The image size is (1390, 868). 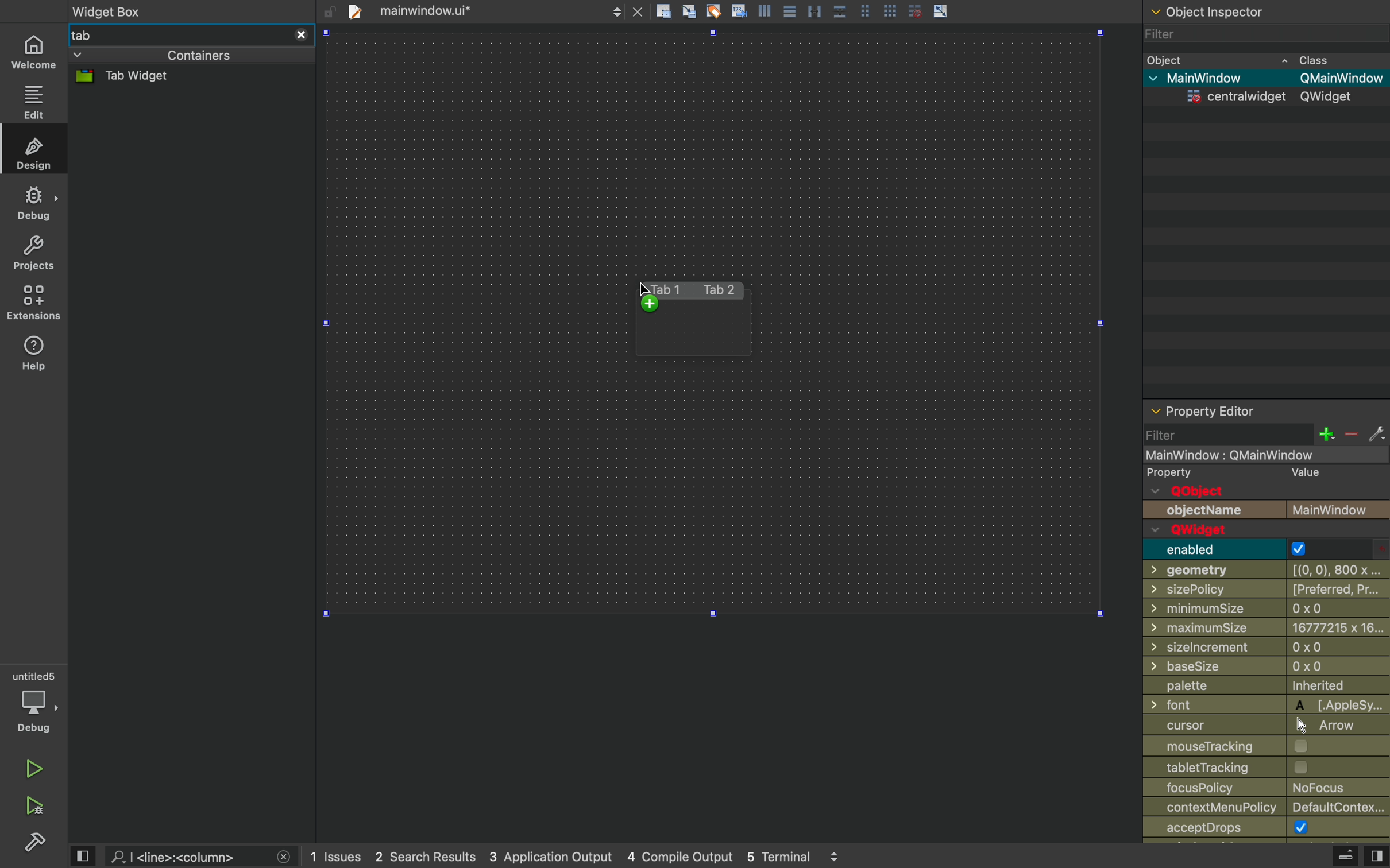 What do you see at coordinates (33, 204) in the screenshot?
I see `debug` at bounding box center [33, 204].